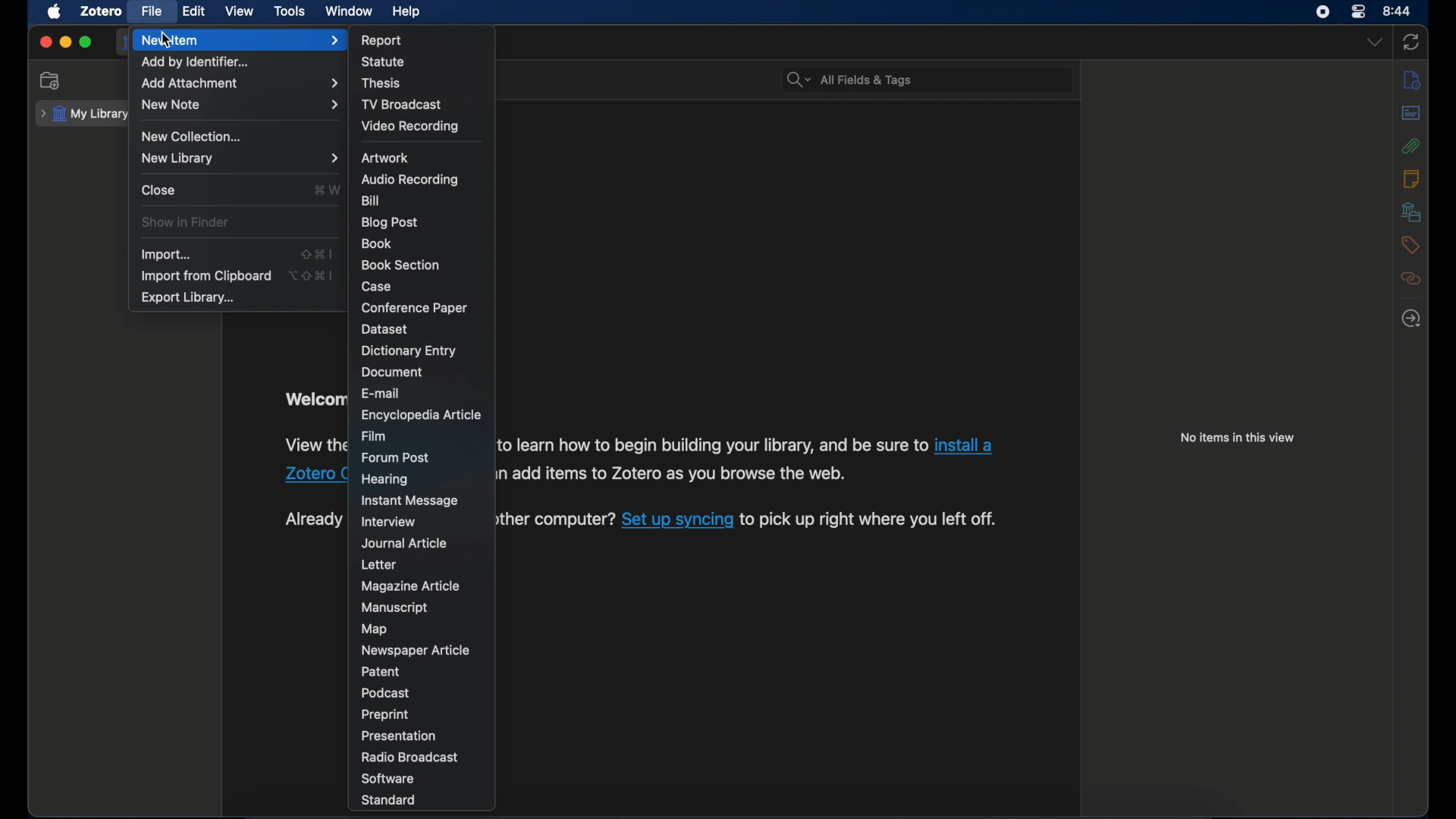 The width and height of the screenshot is (1456, 819). I want to click on software sync link, so click(678, 521).